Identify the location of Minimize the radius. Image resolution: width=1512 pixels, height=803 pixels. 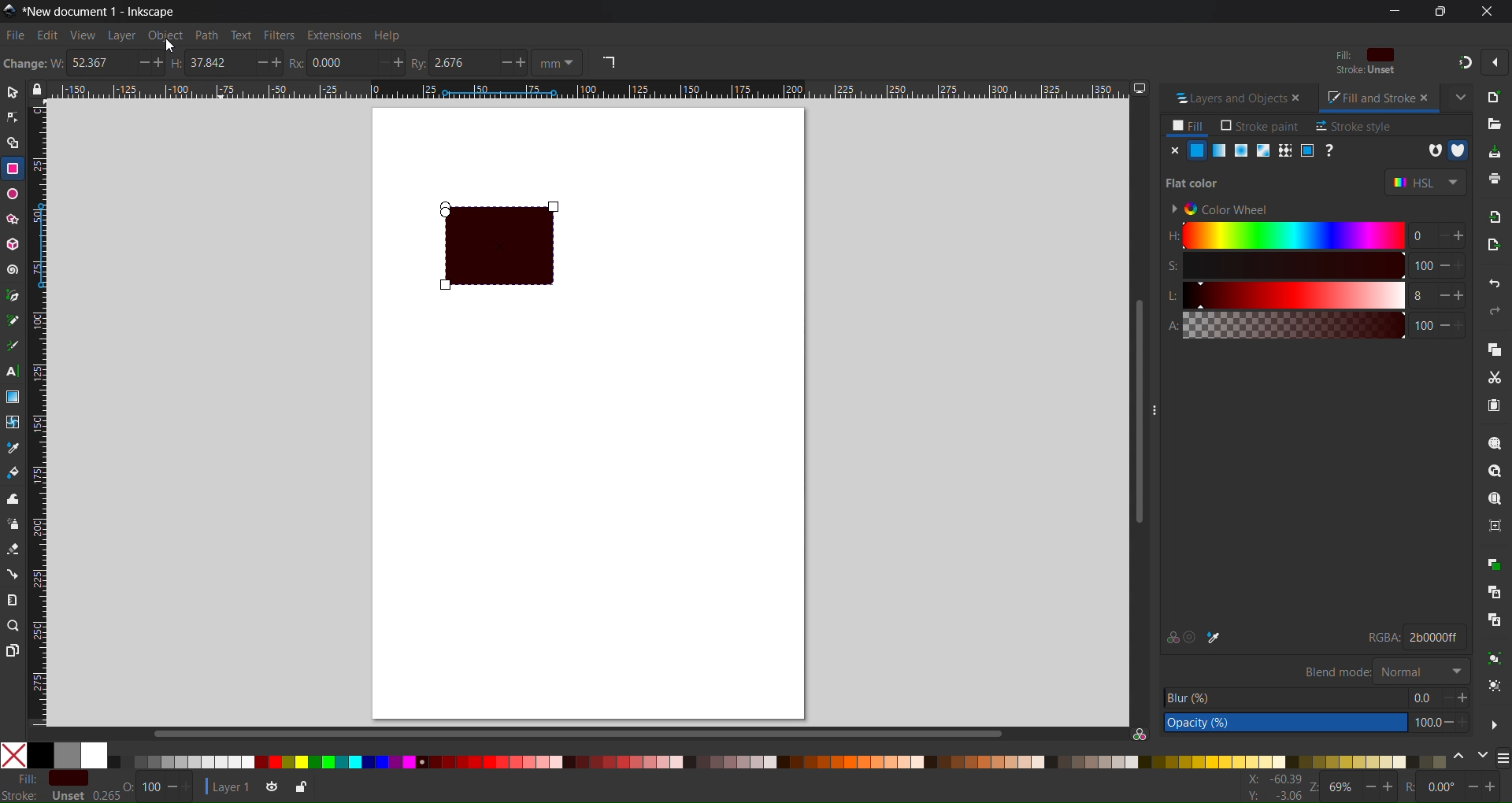
(380, 62).